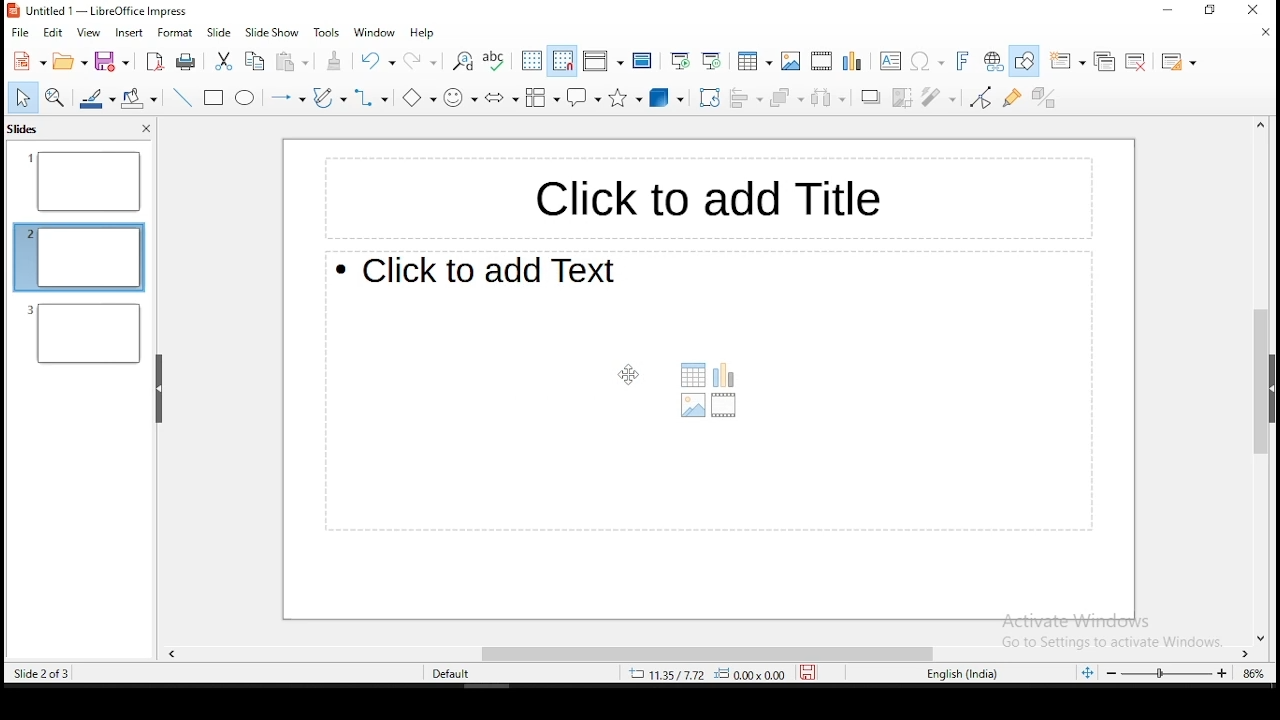 This screenshot has width=1280, height=720. Describe the element at coordinates (420, 33) in the screenshot. I see `help` at that location.